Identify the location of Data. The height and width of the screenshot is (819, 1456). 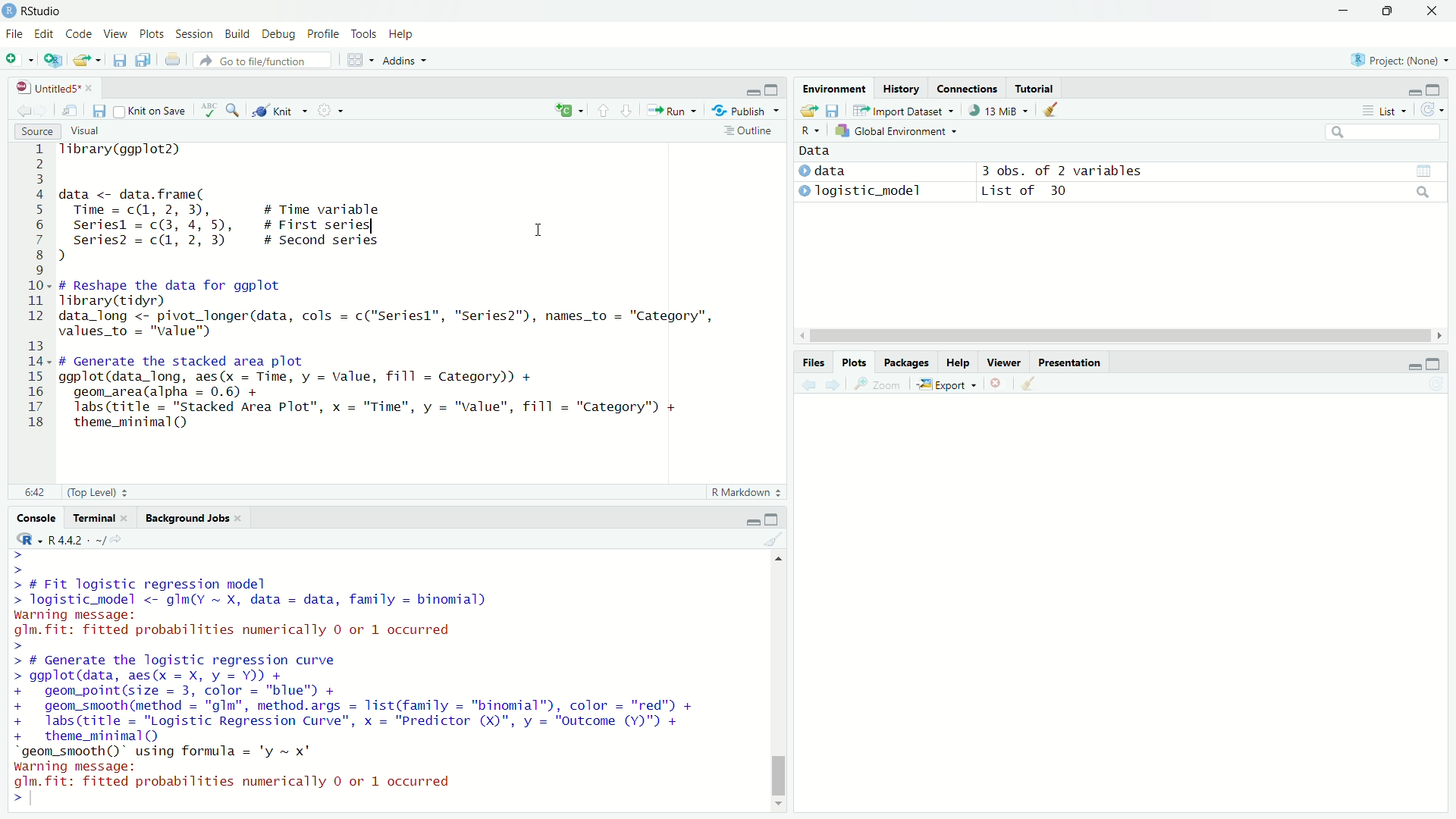
(814, 151).